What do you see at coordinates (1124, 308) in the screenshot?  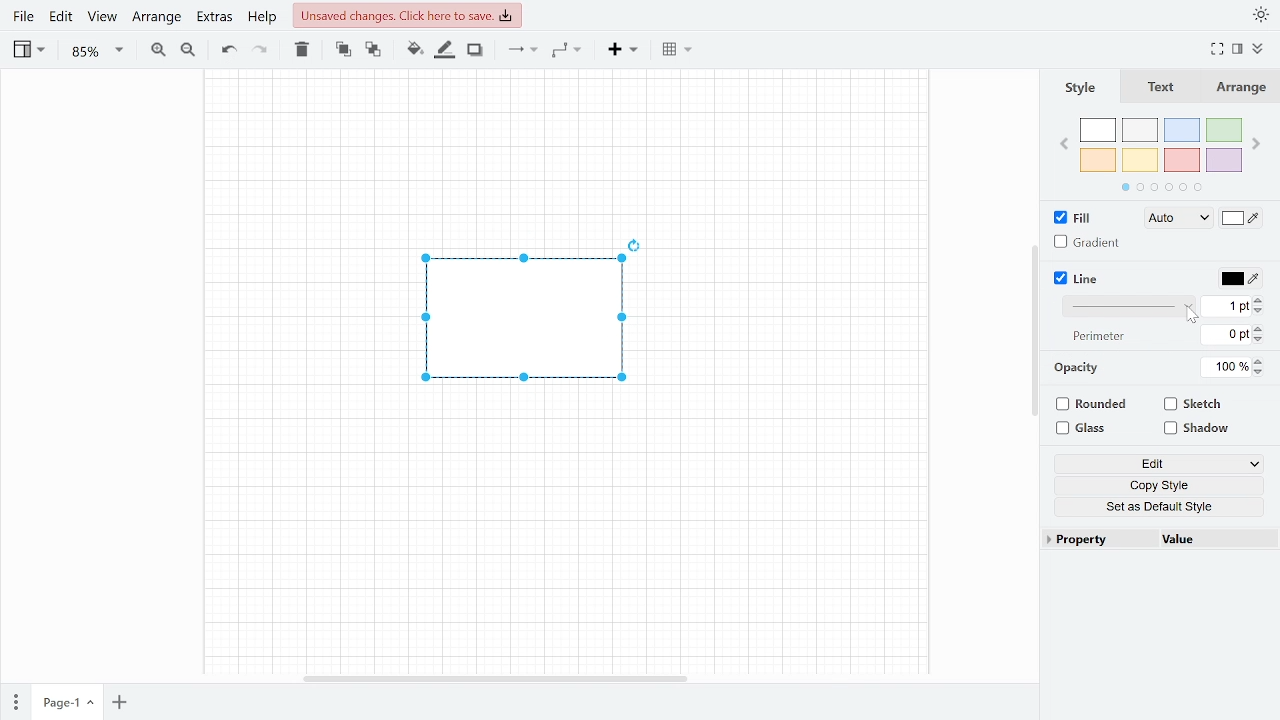 I see `Pattern` at bounding box center [1124, 308].